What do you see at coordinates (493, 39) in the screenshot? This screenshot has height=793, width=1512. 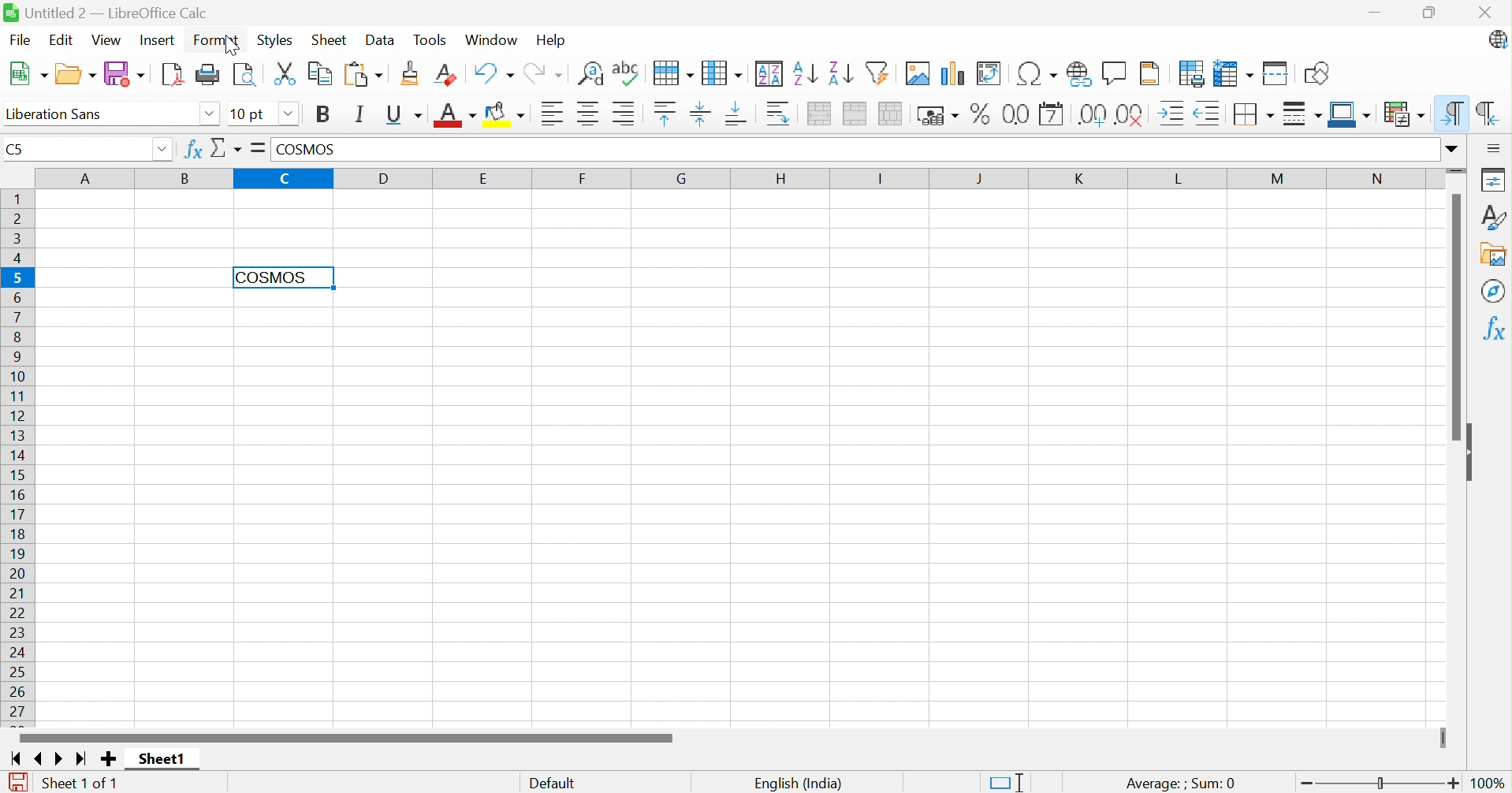 I see `Window` at bounding box center [493, 39].